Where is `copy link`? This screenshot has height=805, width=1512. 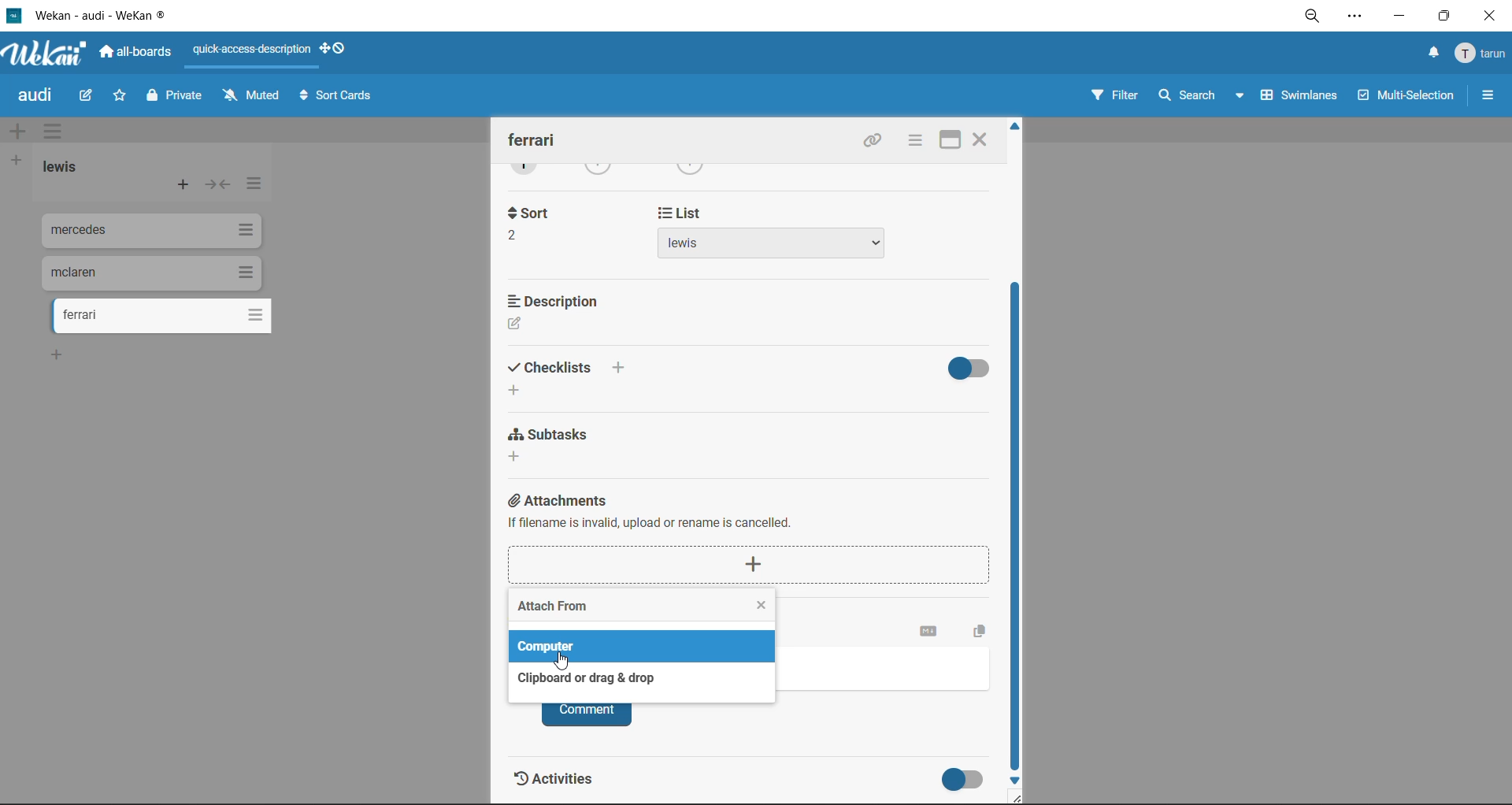 copy link is located at coordinates (872, 143).